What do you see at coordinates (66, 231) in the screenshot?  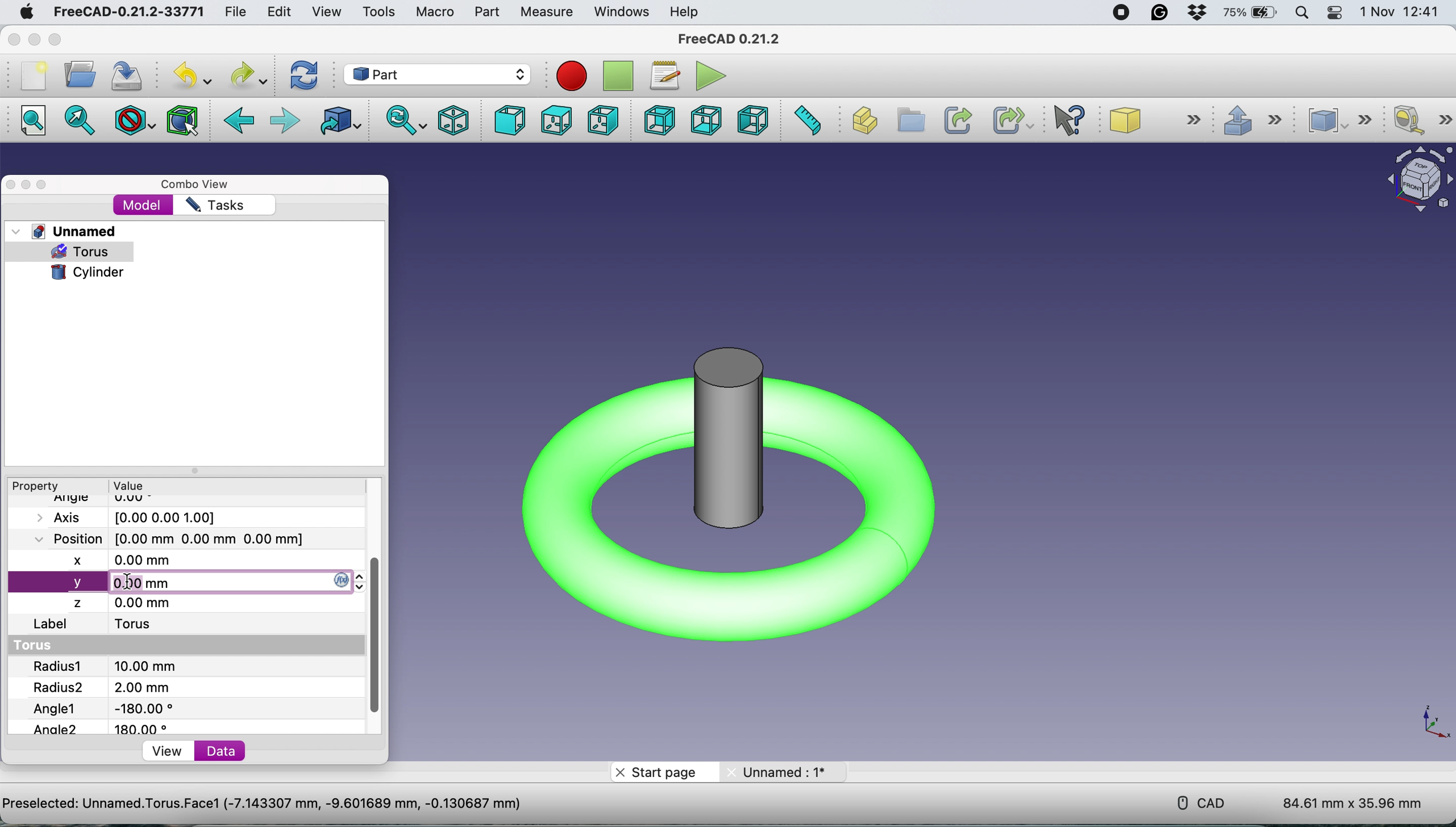 I see `unnamed` at bounding box center [66, 231].